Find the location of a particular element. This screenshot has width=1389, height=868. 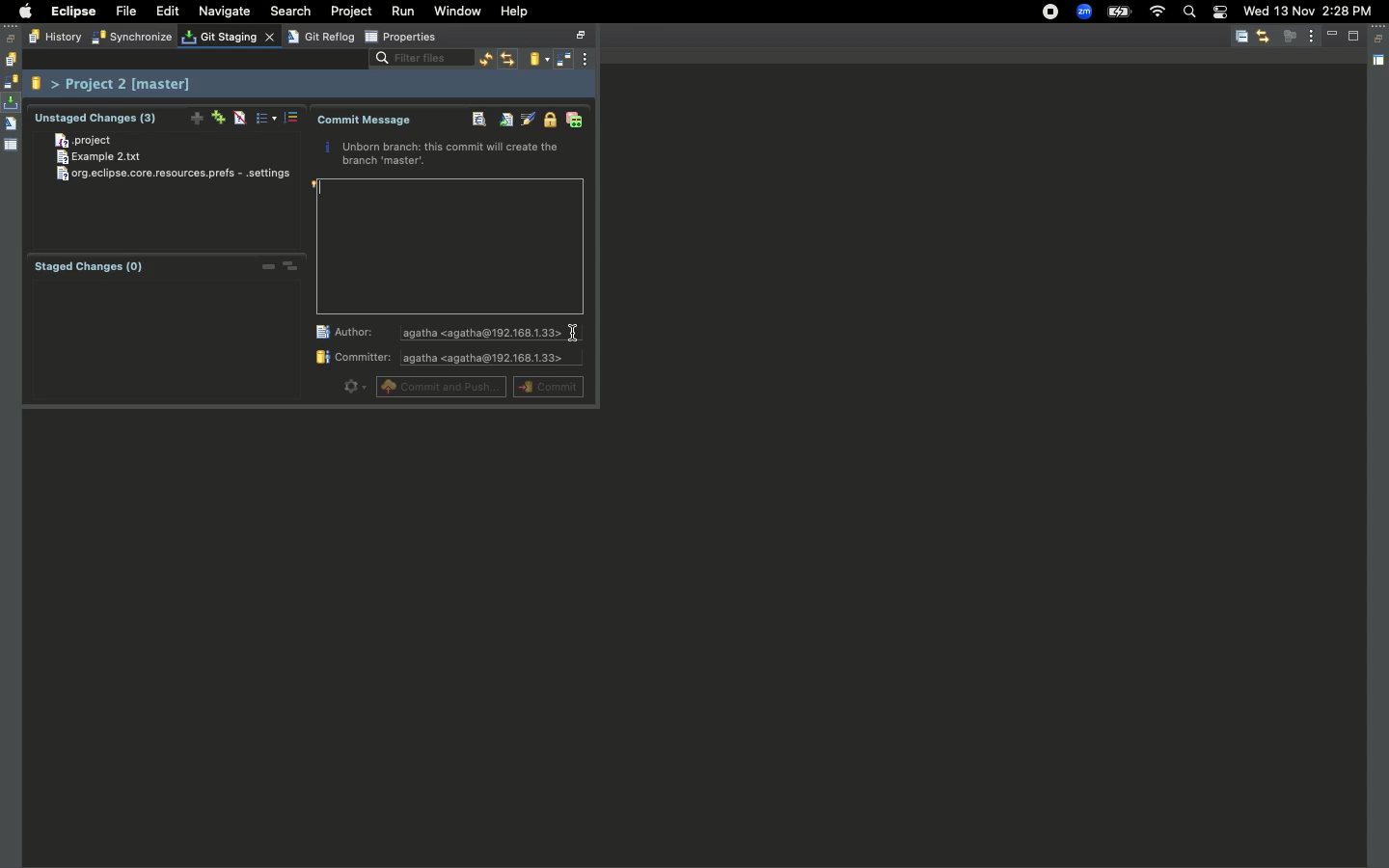

org.eclipse.core.resources.prefs-.settings is located at coordinates (177, 175).